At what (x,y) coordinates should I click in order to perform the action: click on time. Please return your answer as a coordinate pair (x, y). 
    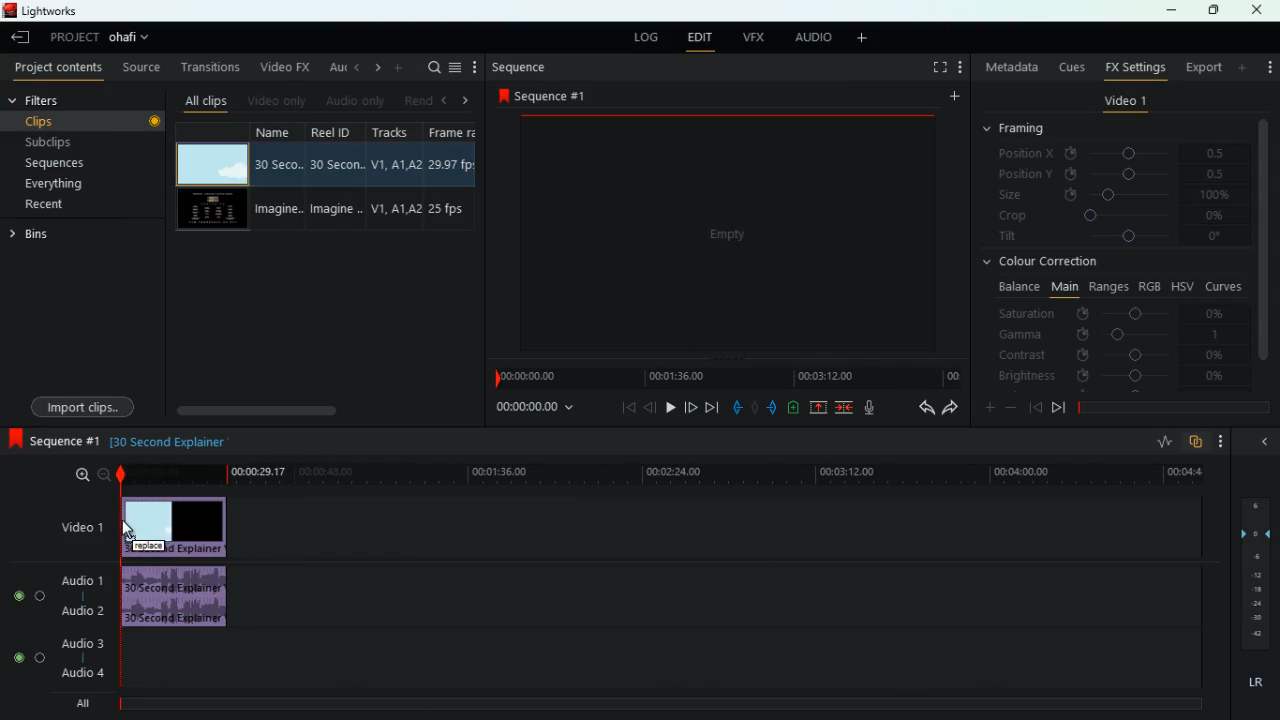
    Looking at the image, I should click on (725, 378).